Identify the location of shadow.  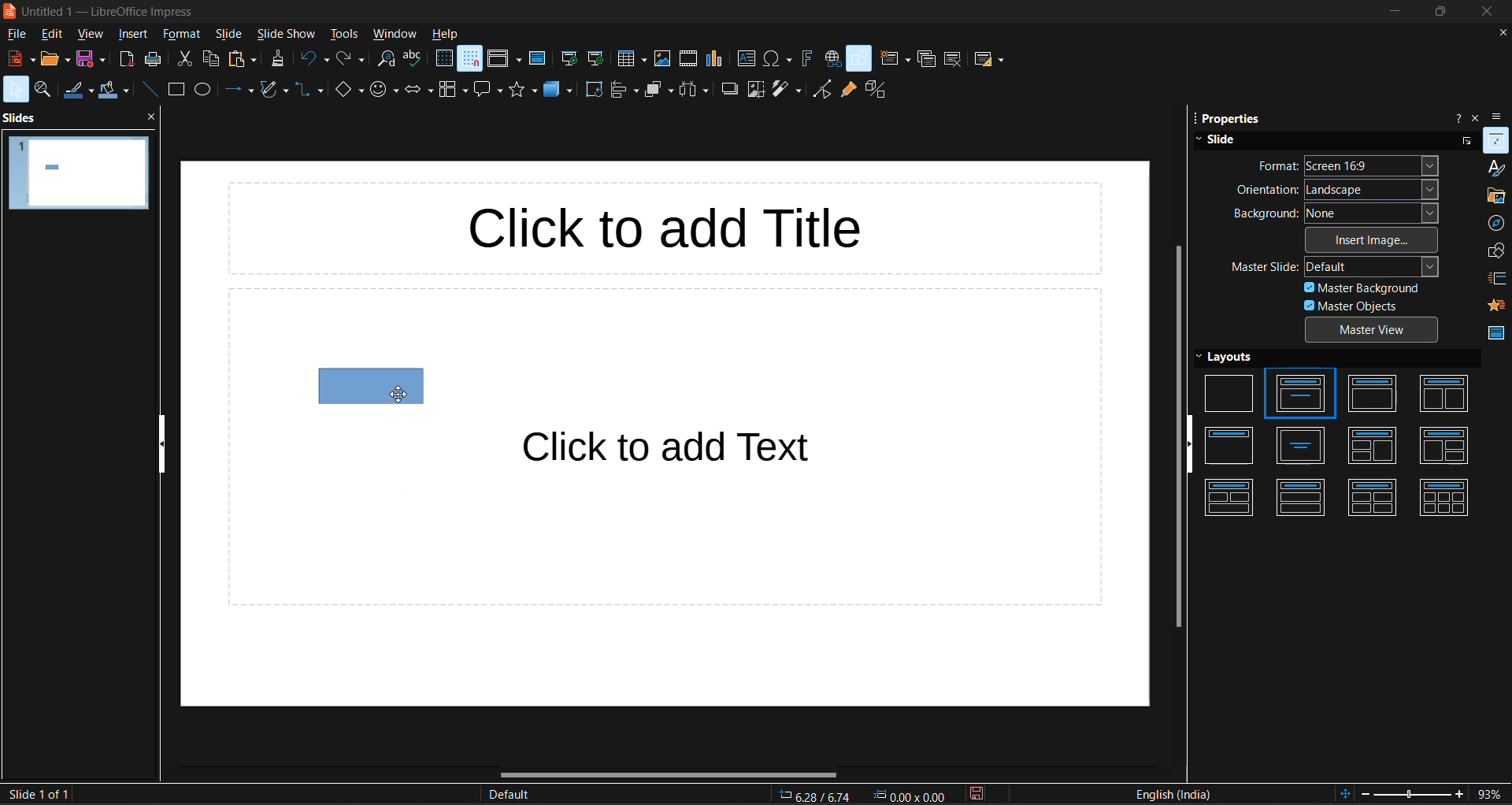
(727, 88).